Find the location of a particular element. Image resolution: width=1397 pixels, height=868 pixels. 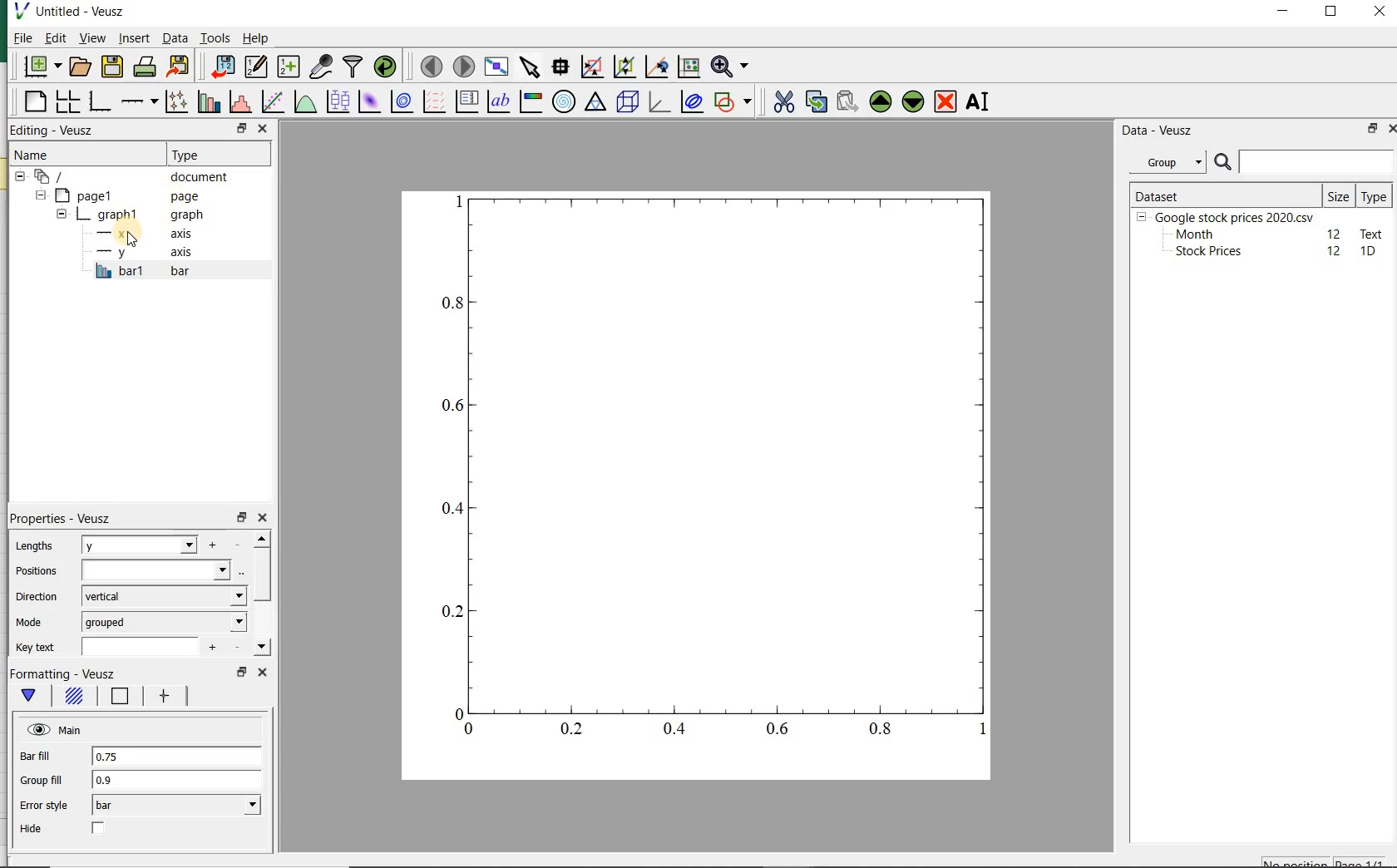

plot box plots is located at coordinates (335, 103).